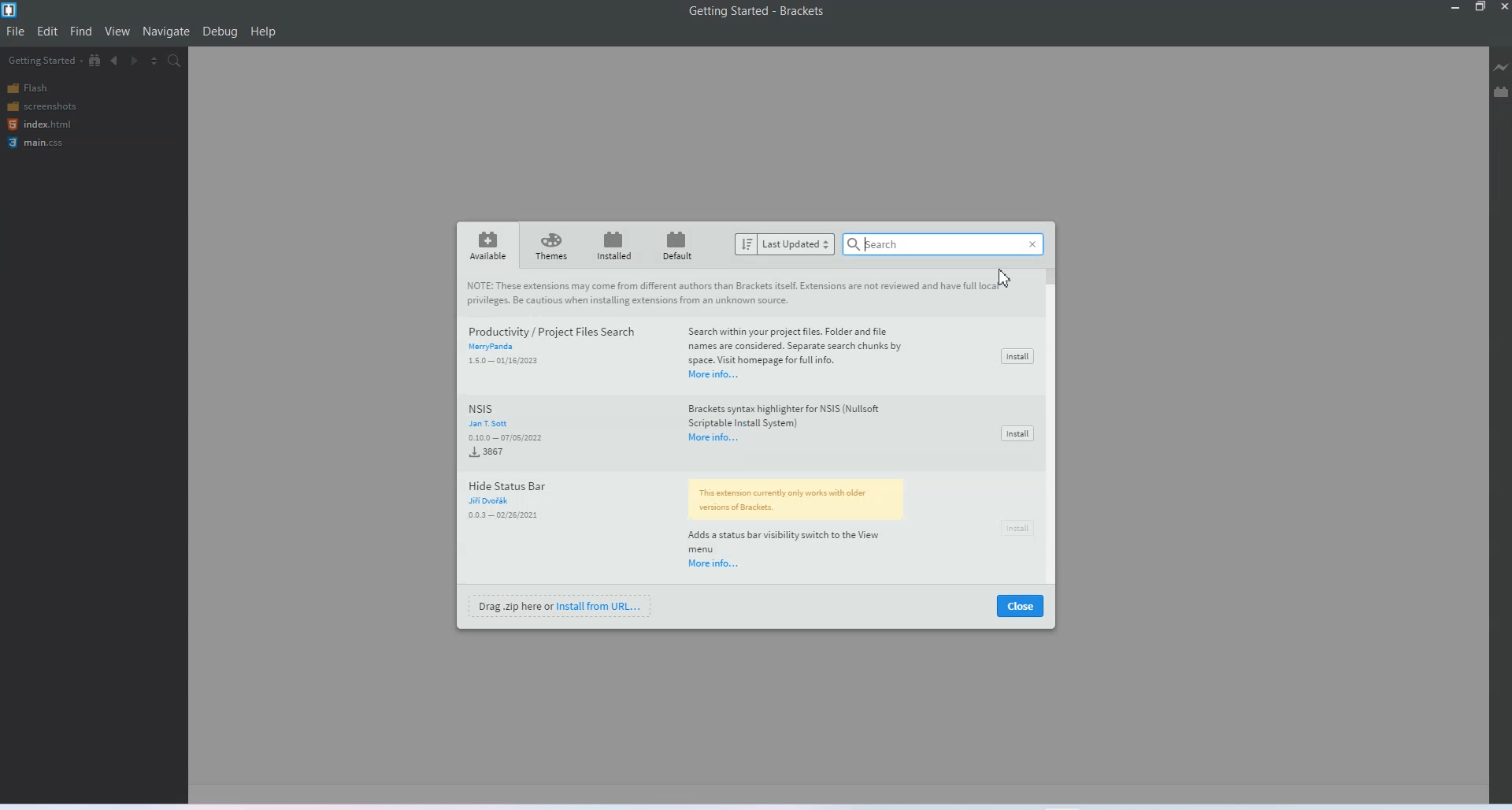 This screenshot has height=810, width=1512. Describe the element at coordinates (166, 32) in the screenshot. I see `Navigate` at that location.